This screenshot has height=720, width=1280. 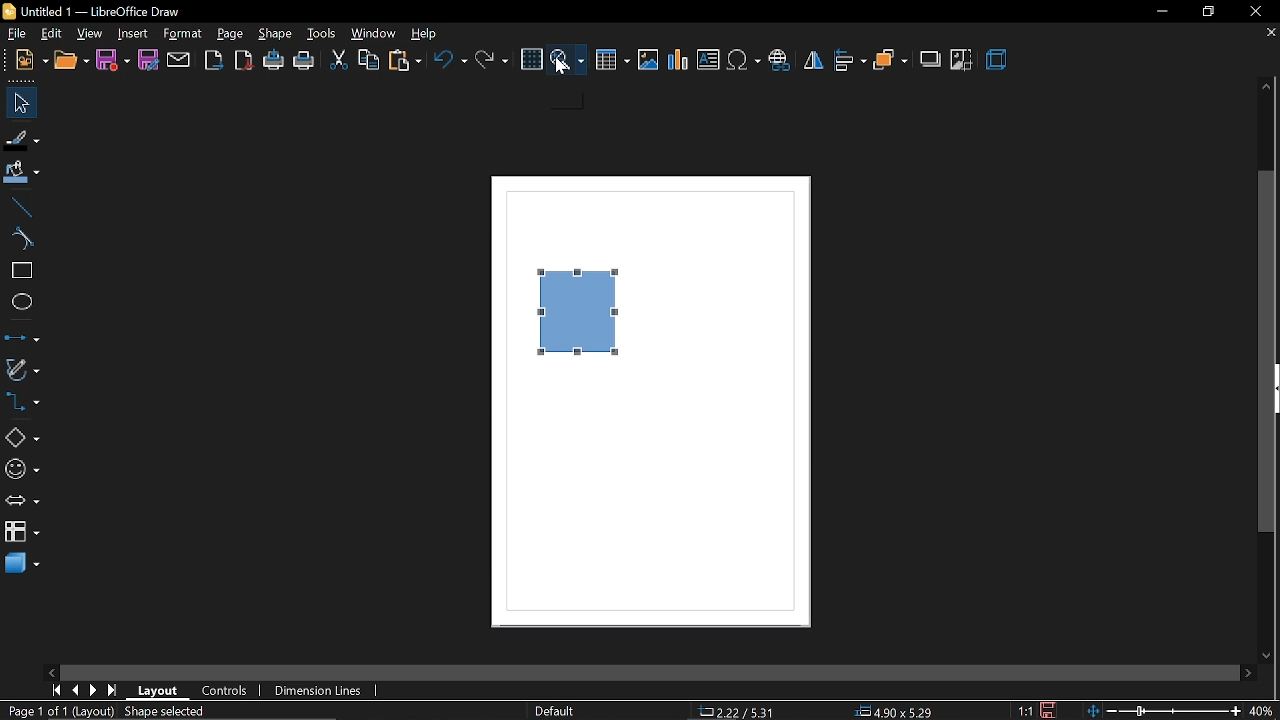 What do you see at coordinates (737, 712) in the screenshot?
I see `co-ordinate` at bounding box center [737, 712].